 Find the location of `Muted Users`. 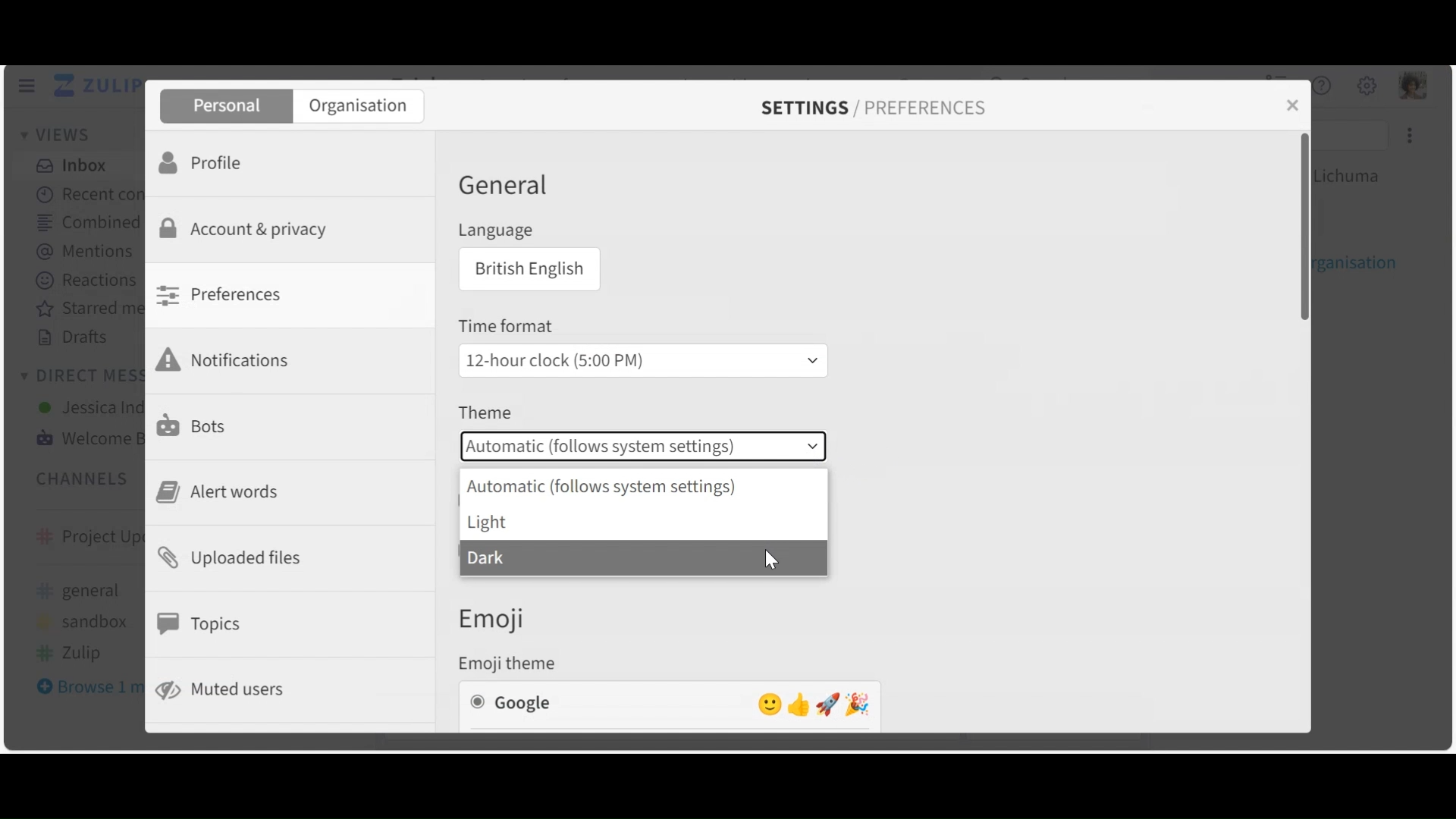

Muted Users is located at coordinates (231, 689).